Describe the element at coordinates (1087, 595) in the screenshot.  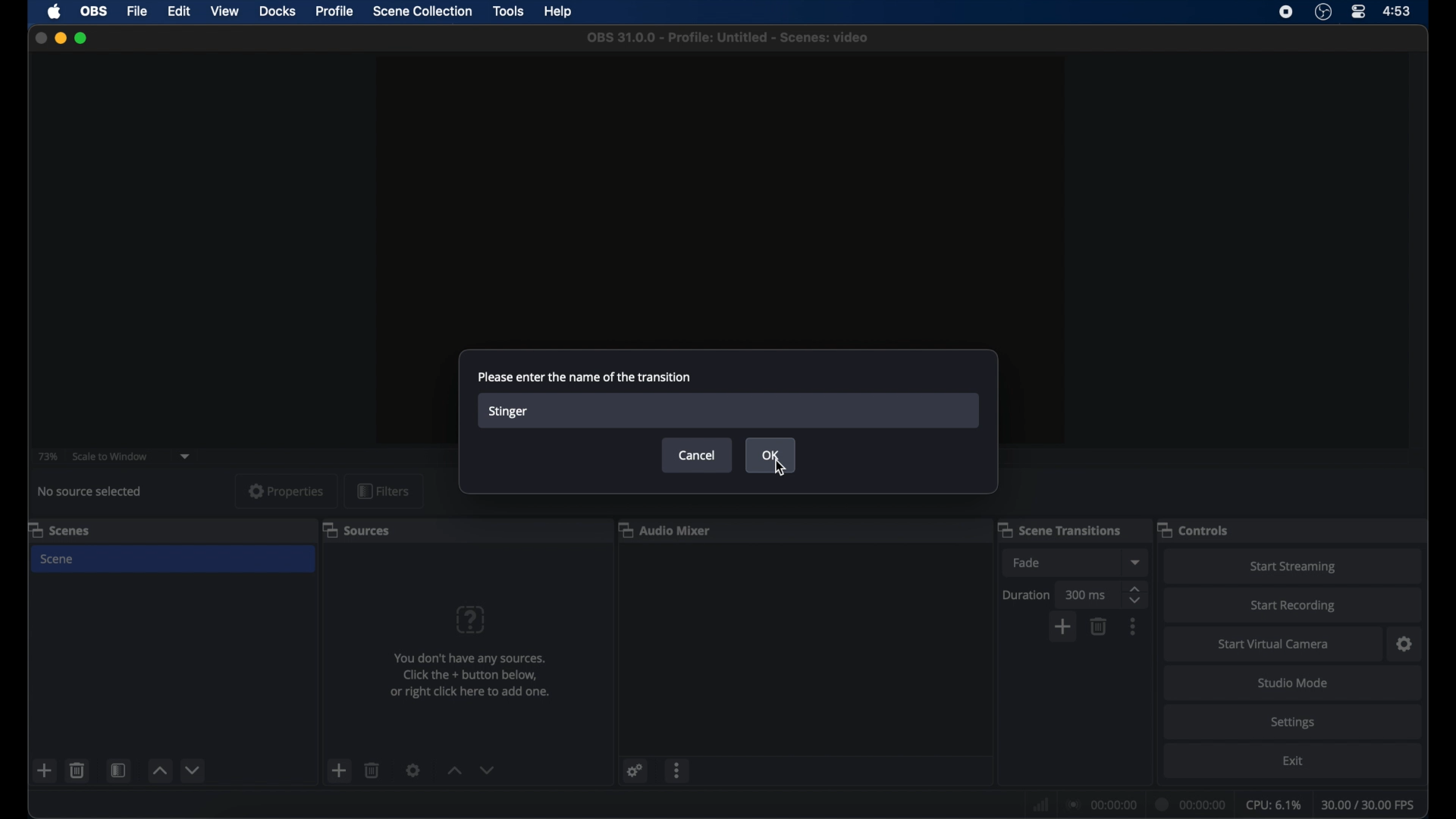
I see `300 ms` at that location.